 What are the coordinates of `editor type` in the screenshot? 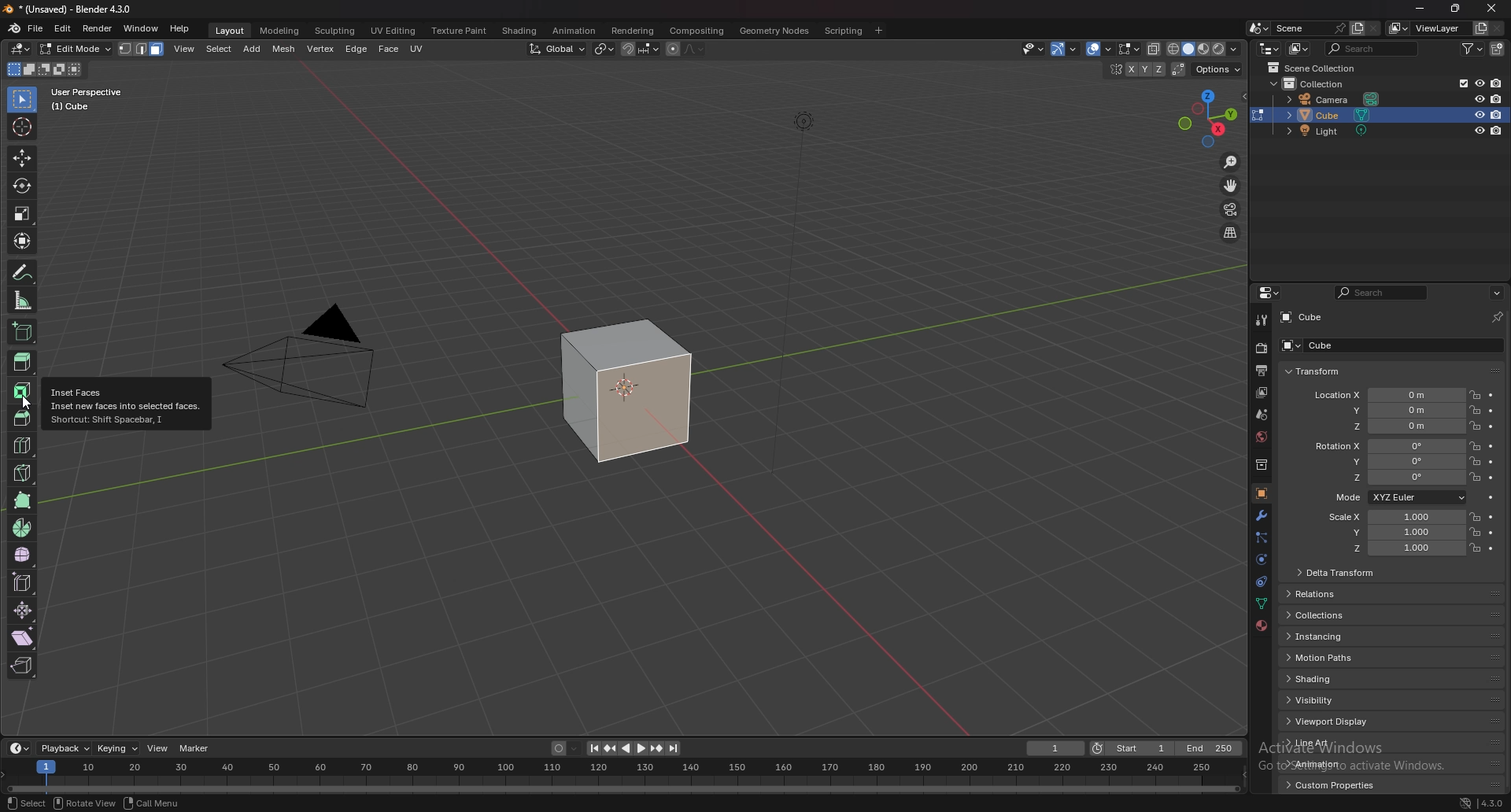 It's located at (22, 49).